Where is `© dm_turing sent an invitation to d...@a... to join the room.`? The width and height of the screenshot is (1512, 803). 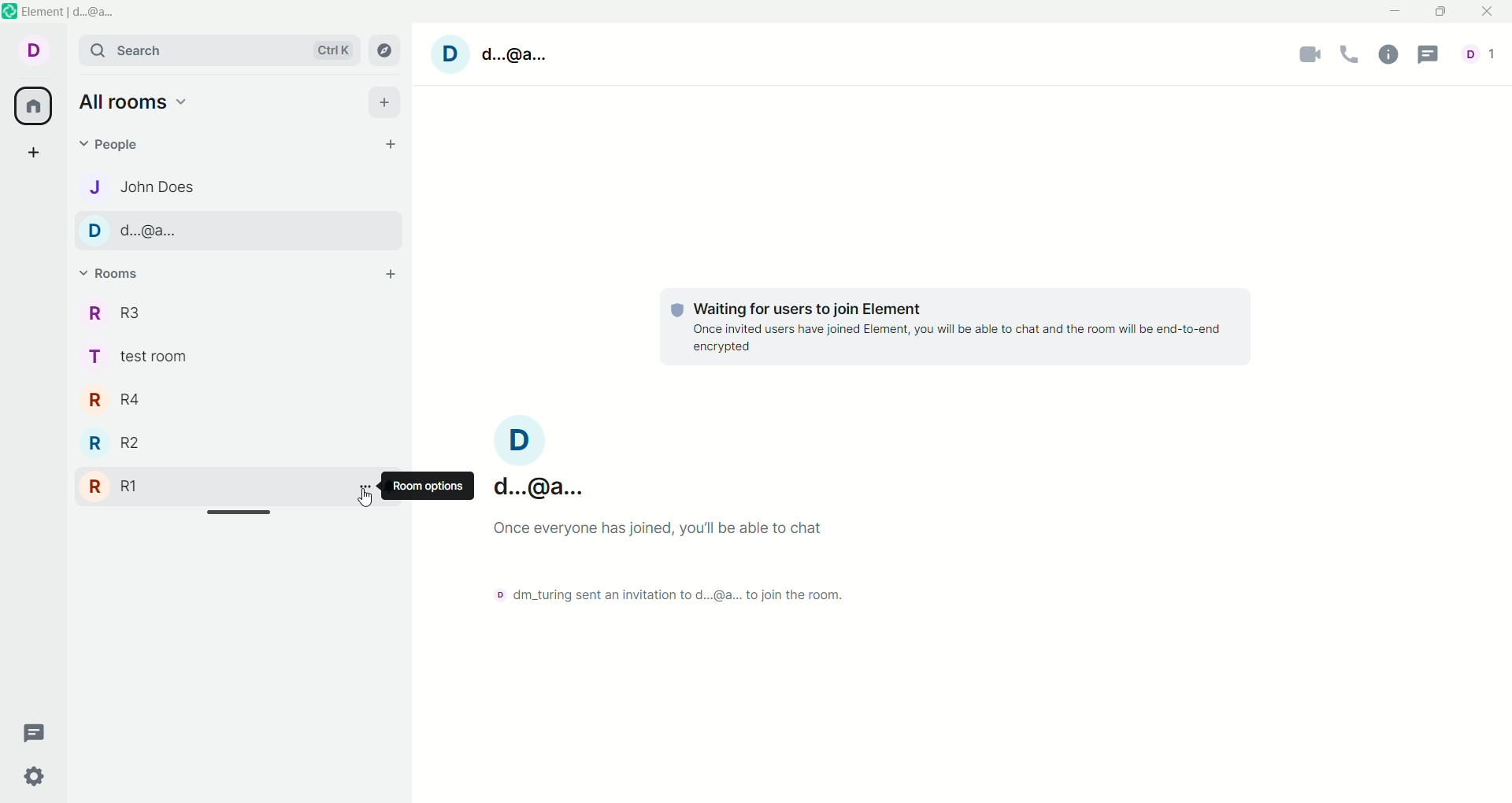 © dm_turing sent an invitation to d...@a... to join the room. is located at coordinates (681, 601).